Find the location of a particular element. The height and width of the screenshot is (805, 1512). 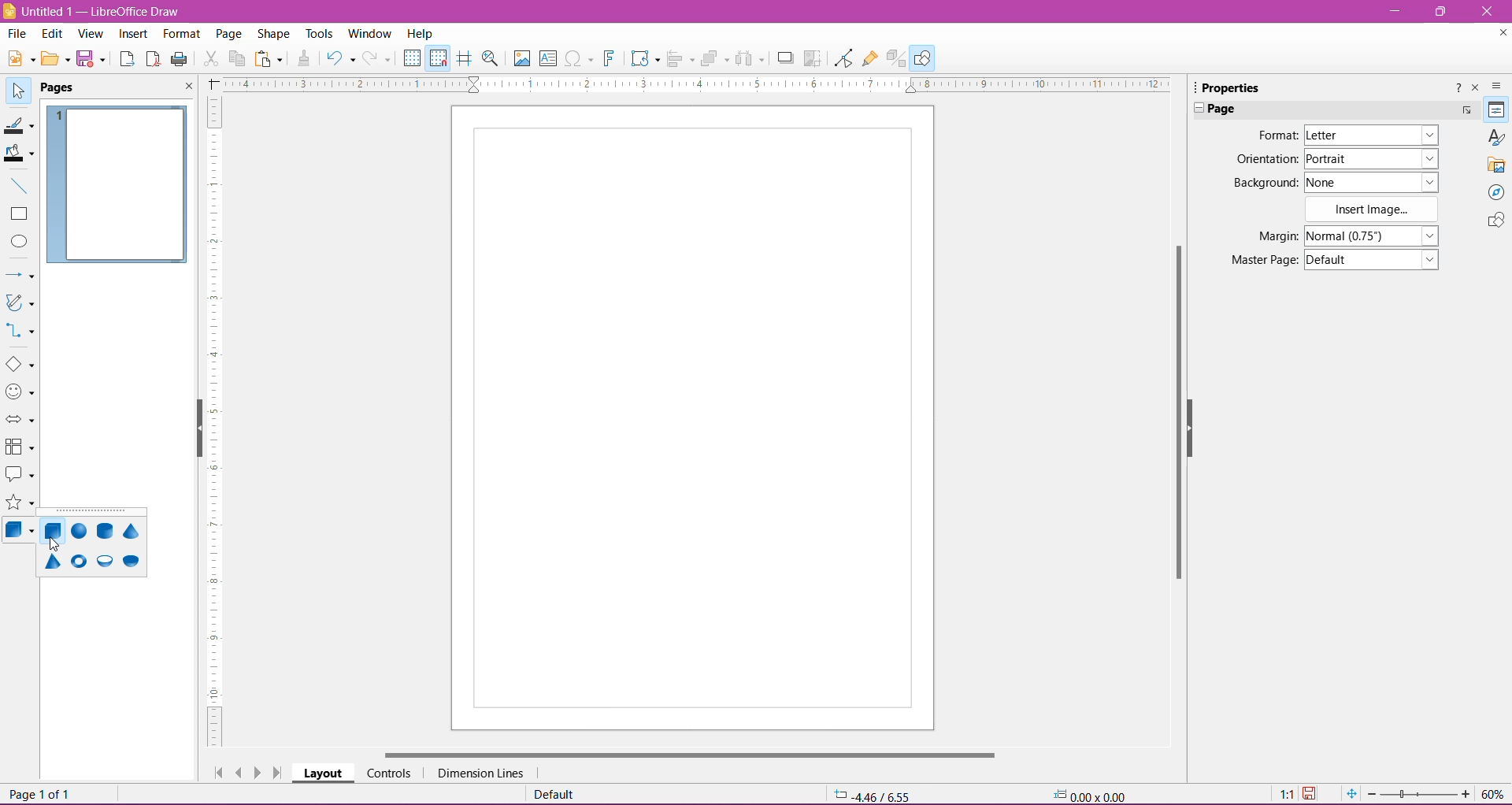

Styles is located at coordinates (1495, 137).